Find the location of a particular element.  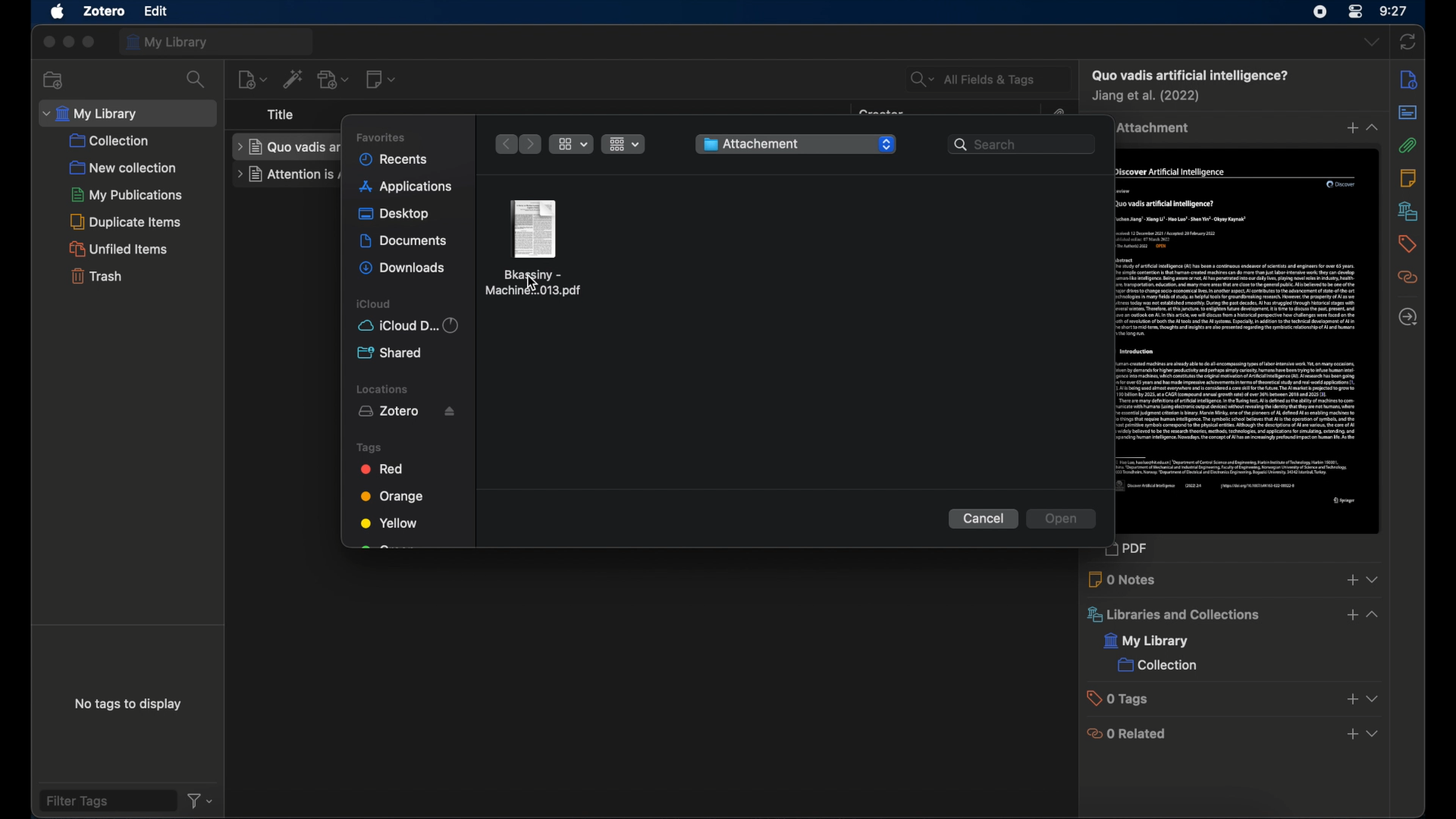

0 tags is located at coordinates (1122, 698).